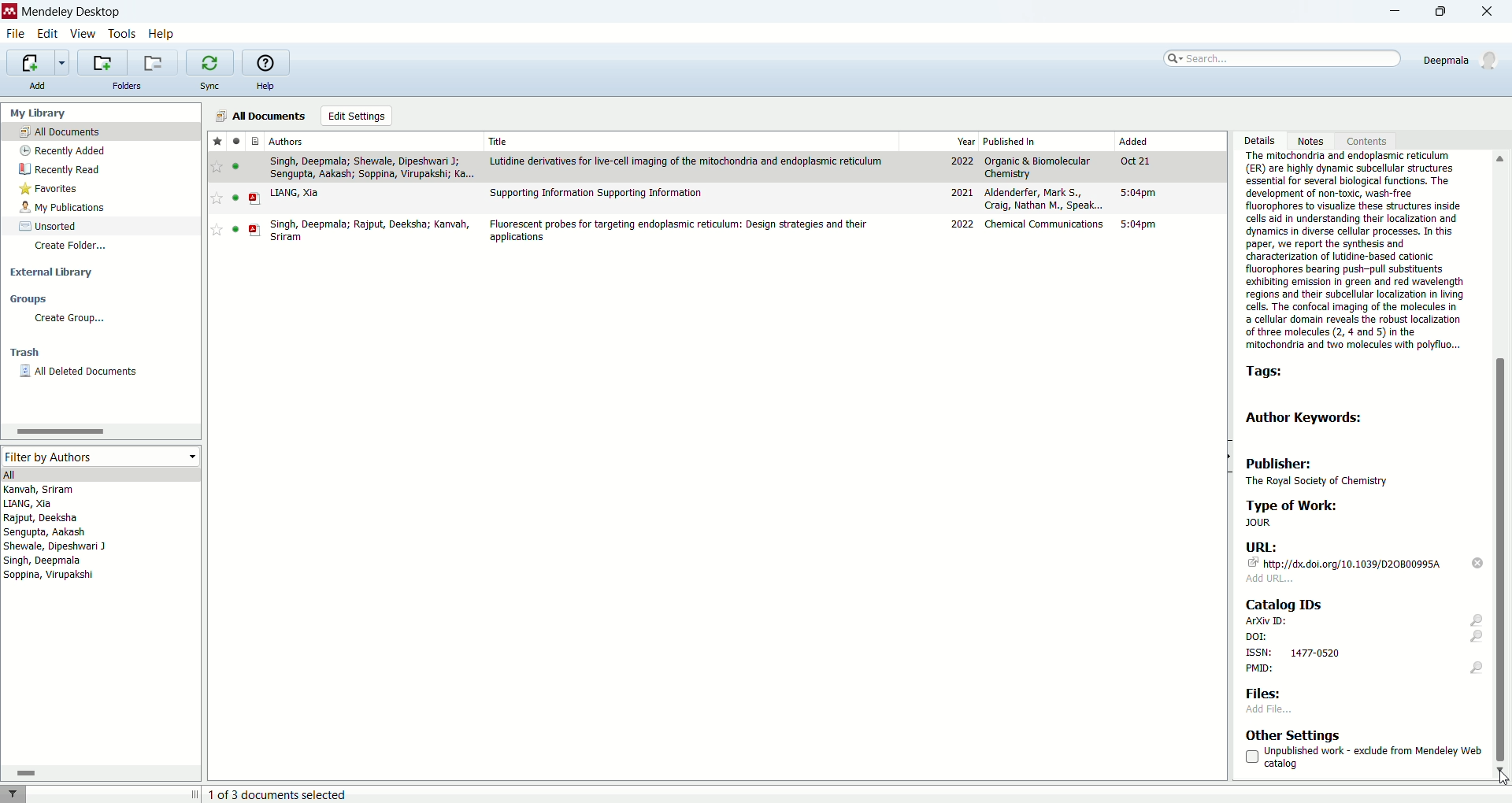 This screenshot has width=1512, height=803. What do you see at coordinates (37, 63) in the screenshot?
I see `imports` at bounding box center [37, 63].